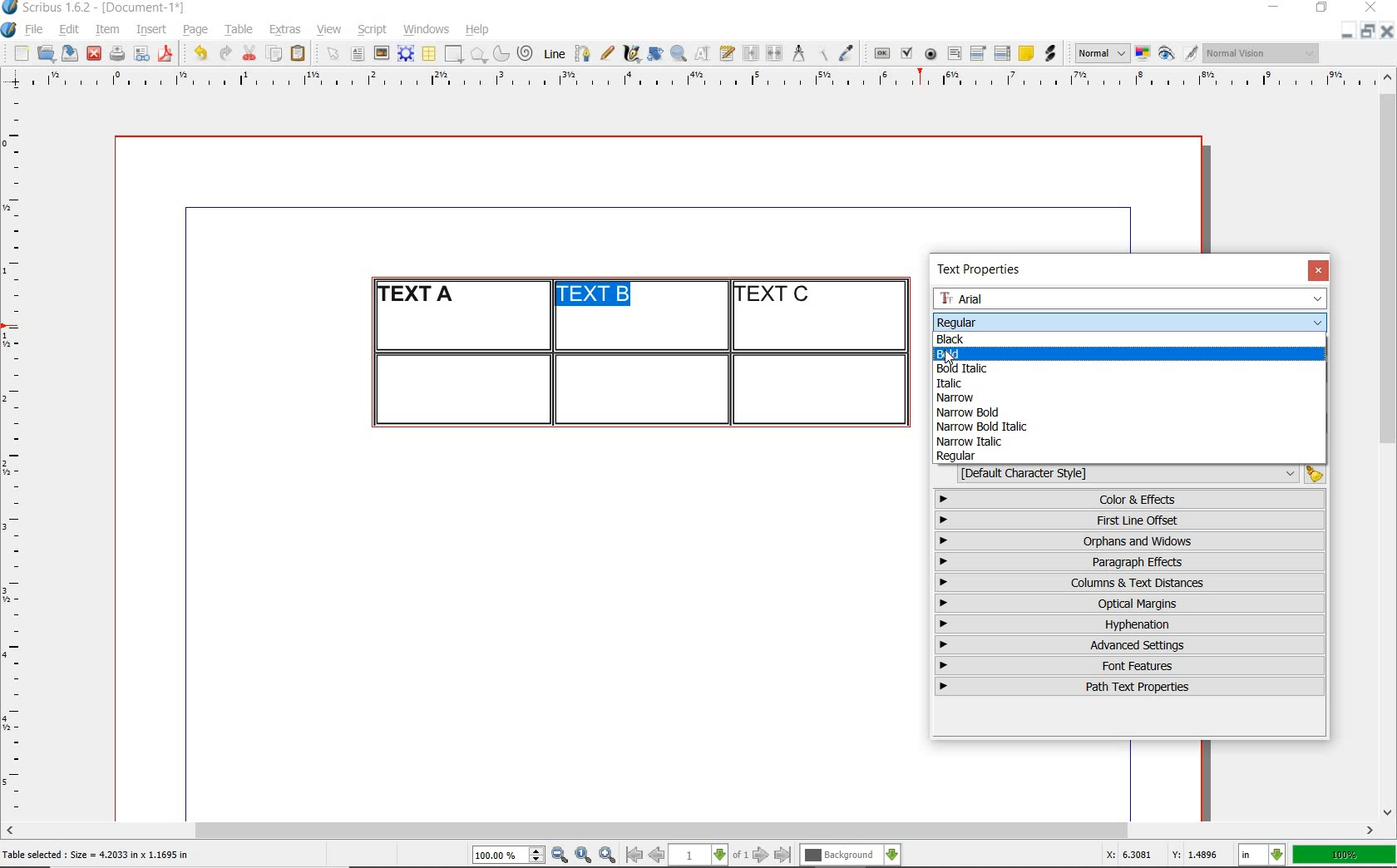 The image size is (1397, 868). Describe the element at coordinates (142, 55) in the screenshot. I see `preflight verifier` at that location.